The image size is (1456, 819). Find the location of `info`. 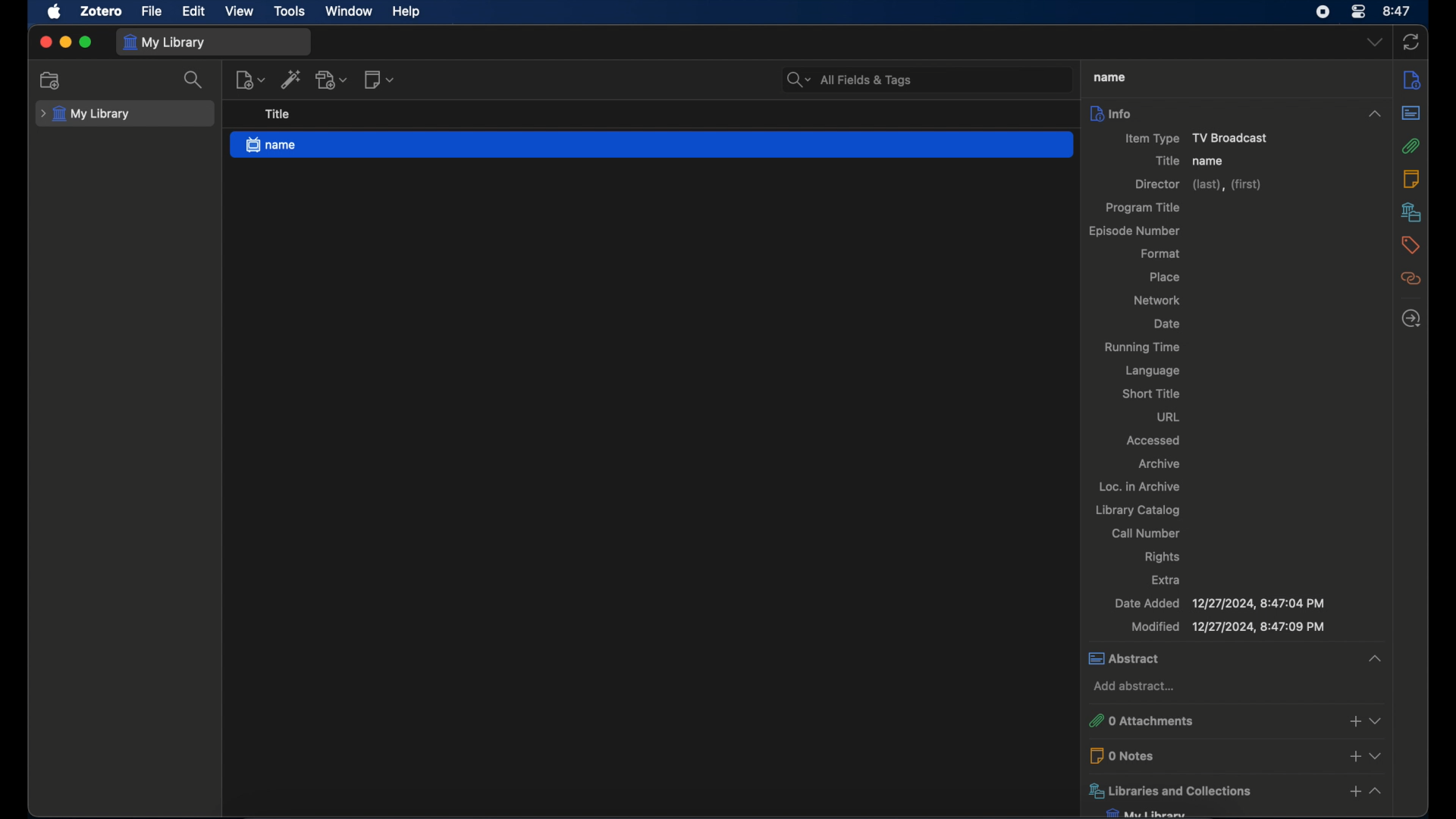

info is located at coordinates (1210, 113).